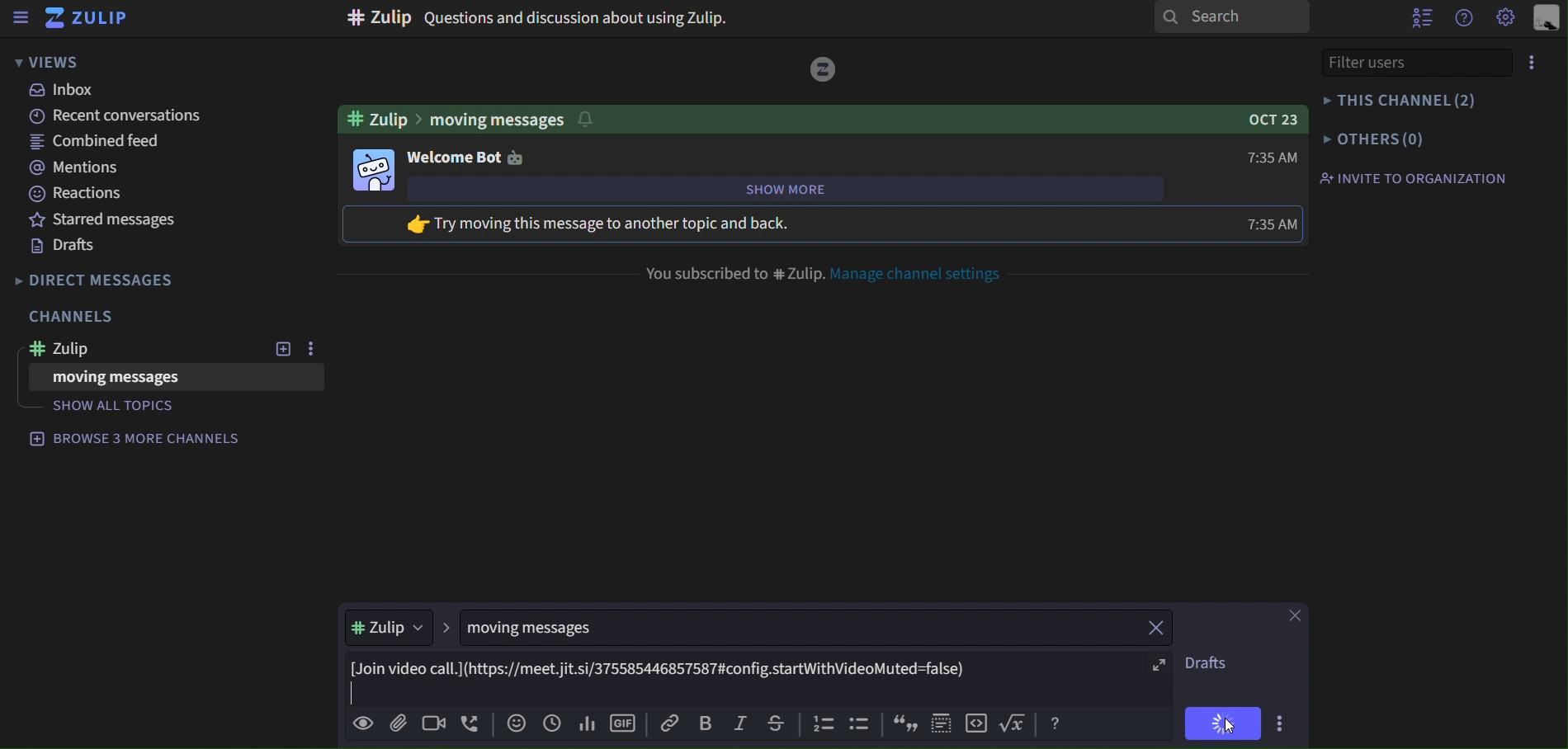 The width and height of the screenshot is (1568, 749). I want to click on OCT 23, so click(1264, 118).